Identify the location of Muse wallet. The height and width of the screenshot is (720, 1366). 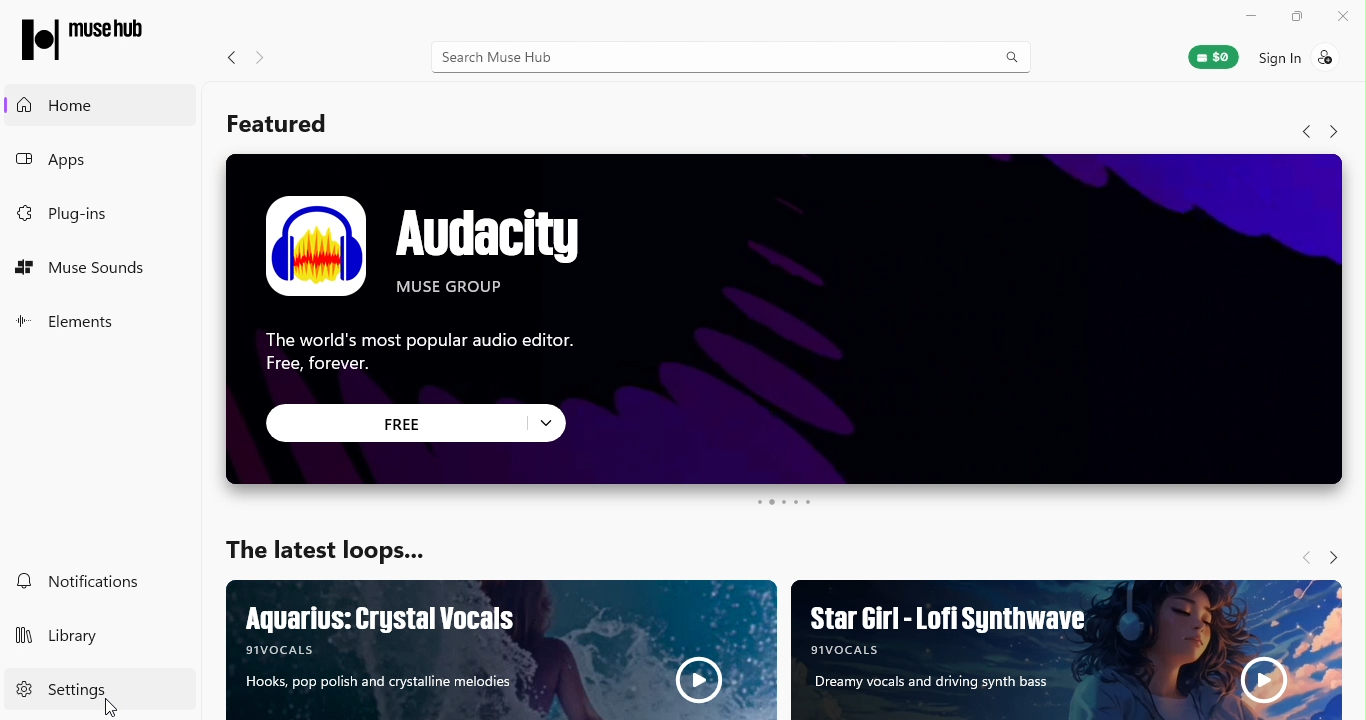
(1215, 56).